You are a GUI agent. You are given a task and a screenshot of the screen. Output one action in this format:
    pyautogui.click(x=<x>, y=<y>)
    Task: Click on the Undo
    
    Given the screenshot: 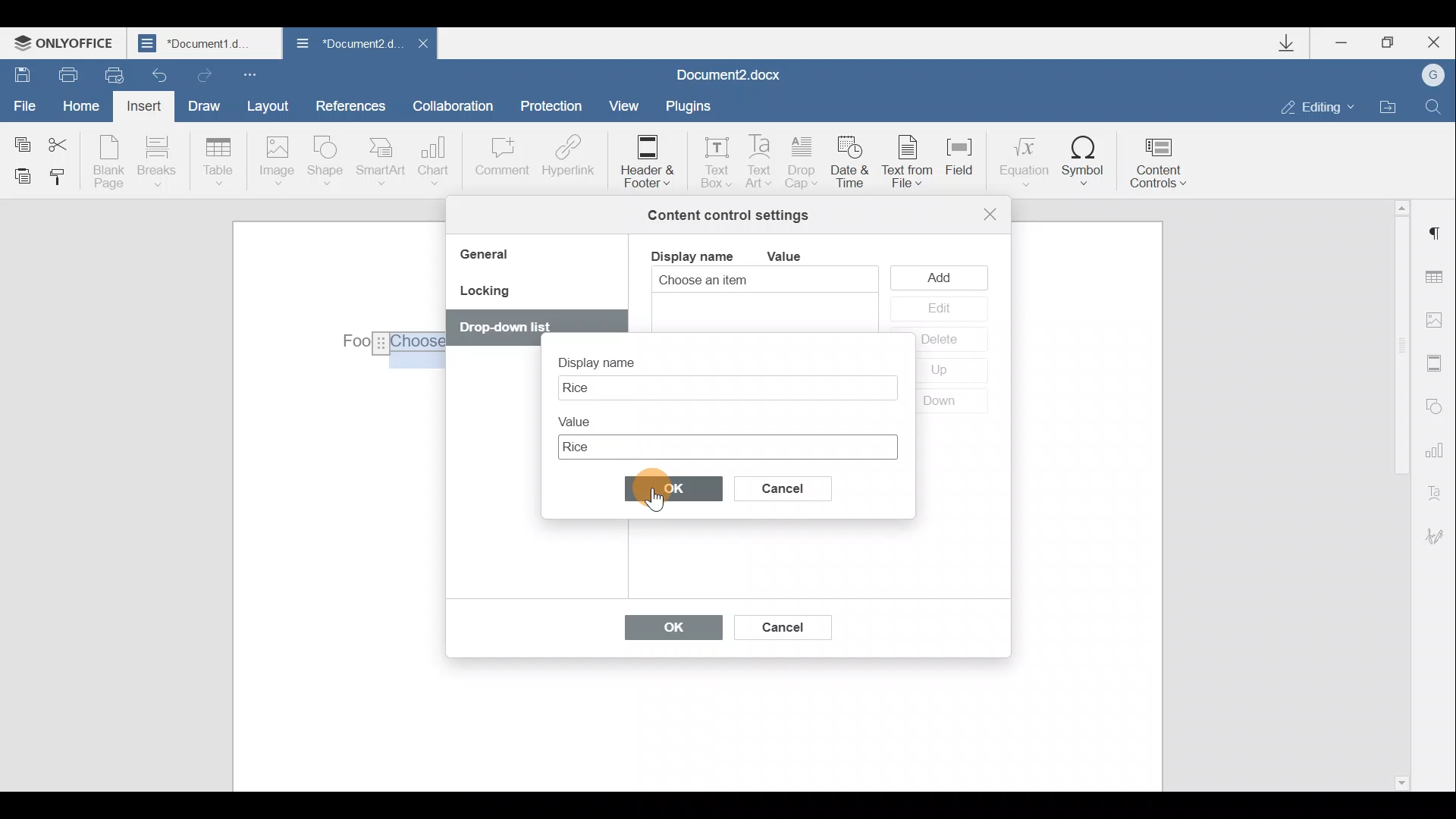 What is the action you would take?
    pyautogui.click(x=161, y=71)
    